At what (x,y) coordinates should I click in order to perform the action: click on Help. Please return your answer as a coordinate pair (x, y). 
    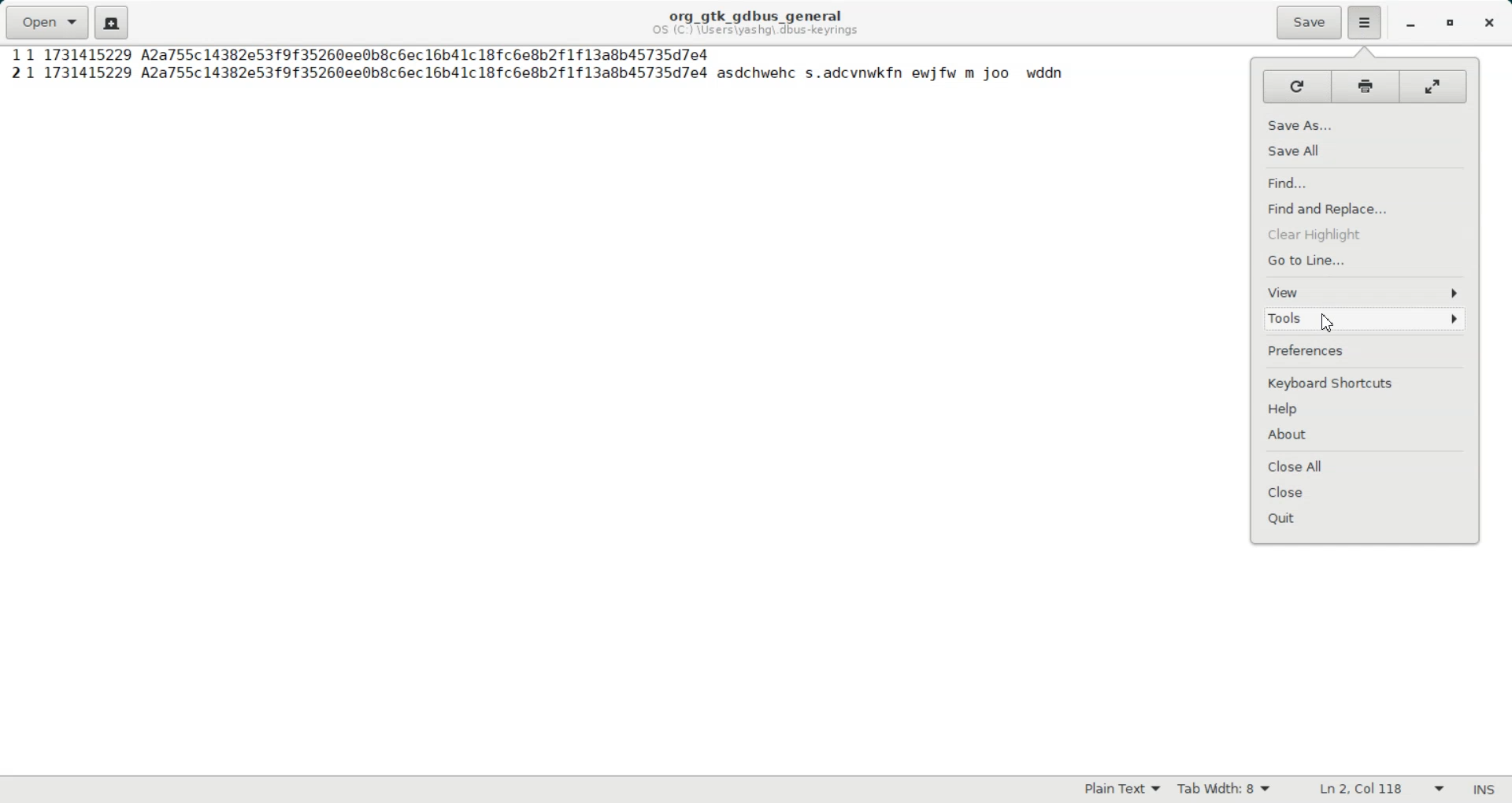
    Looking at the image, I should click on (1366, 413).